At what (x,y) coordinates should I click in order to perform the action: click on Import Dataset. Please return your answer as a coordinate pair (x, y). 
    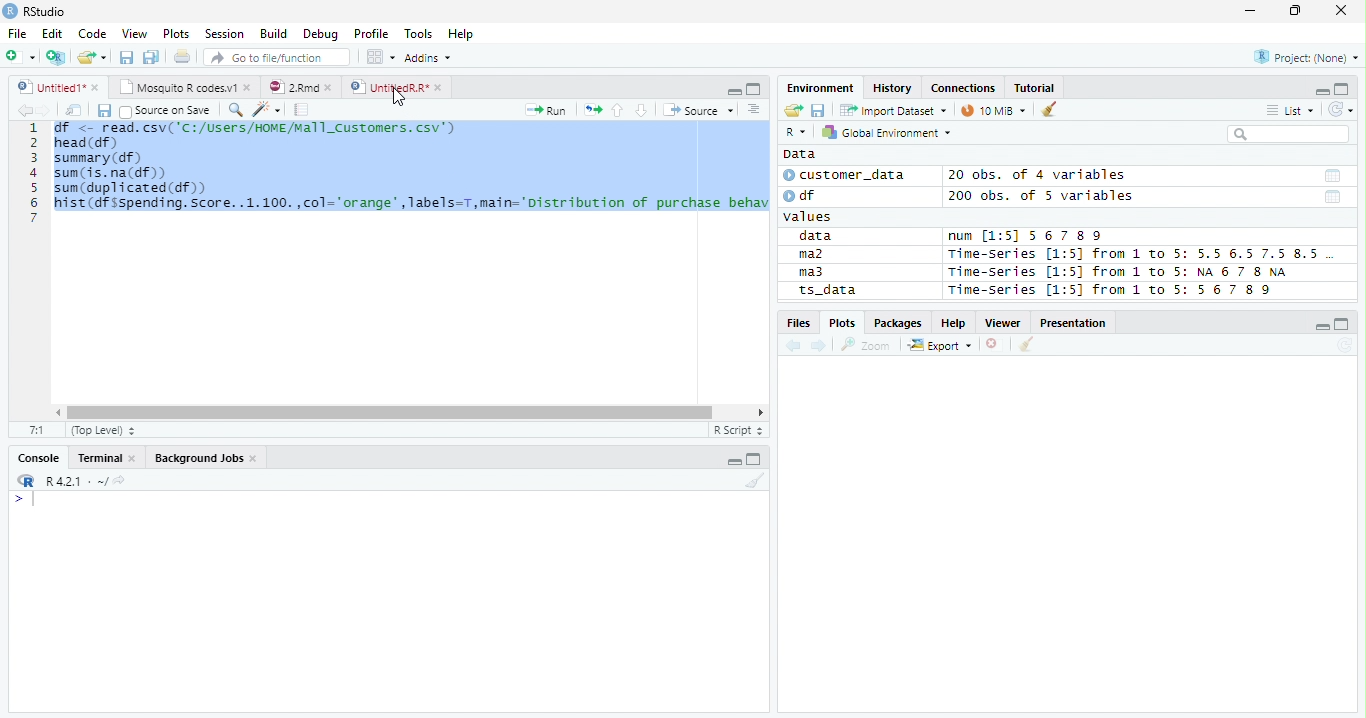
    Looking at the image, I should click on (891, 110).